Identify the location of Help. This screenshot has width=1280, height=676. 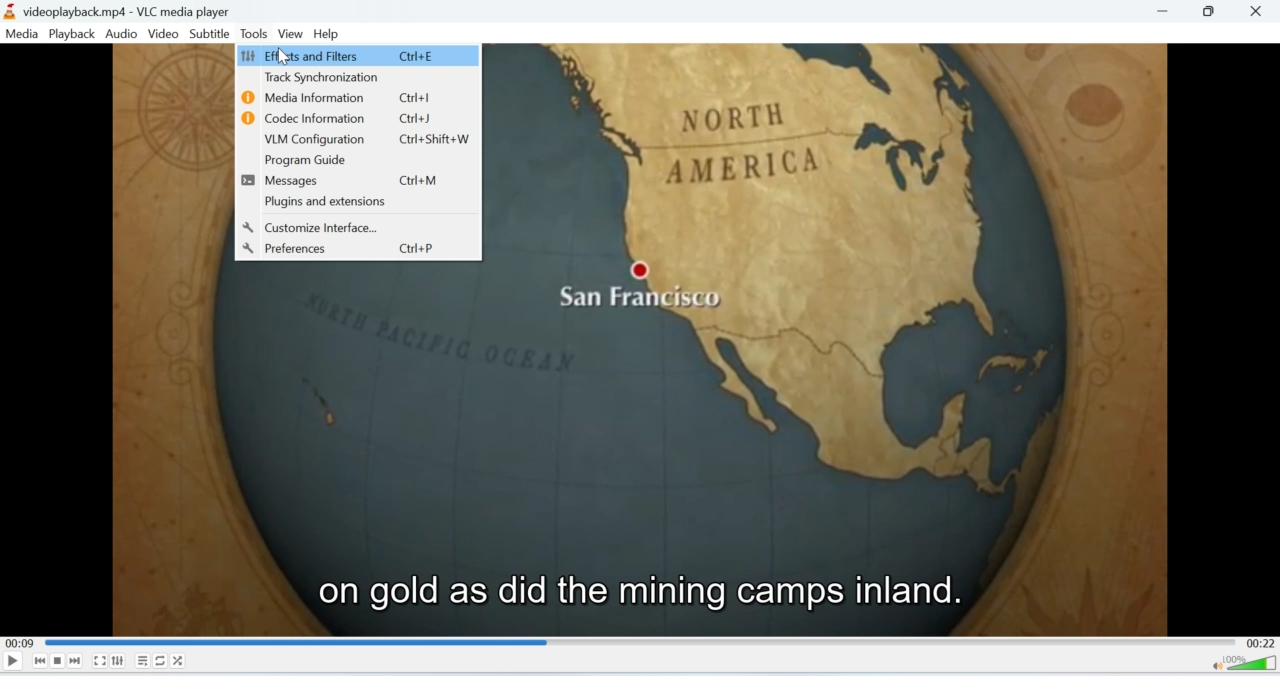
(330, 34).